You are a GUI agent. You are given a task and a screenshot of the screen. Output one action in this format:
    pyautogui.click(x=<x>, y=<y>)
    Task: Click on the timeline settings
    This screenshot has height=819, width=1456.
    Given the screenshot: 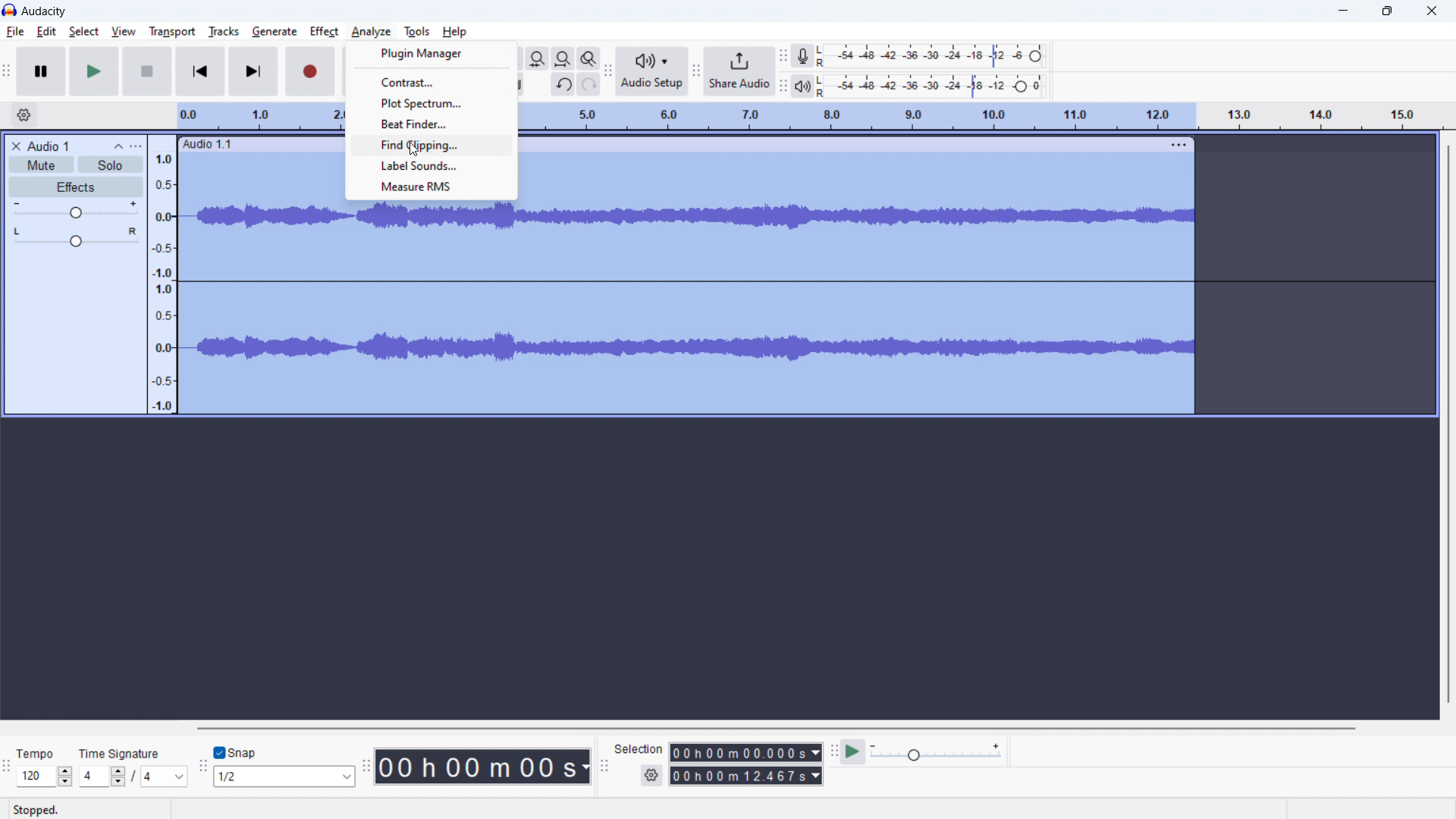 What is the action you would take?
    pyautogui.click(x=24, y=115)
    